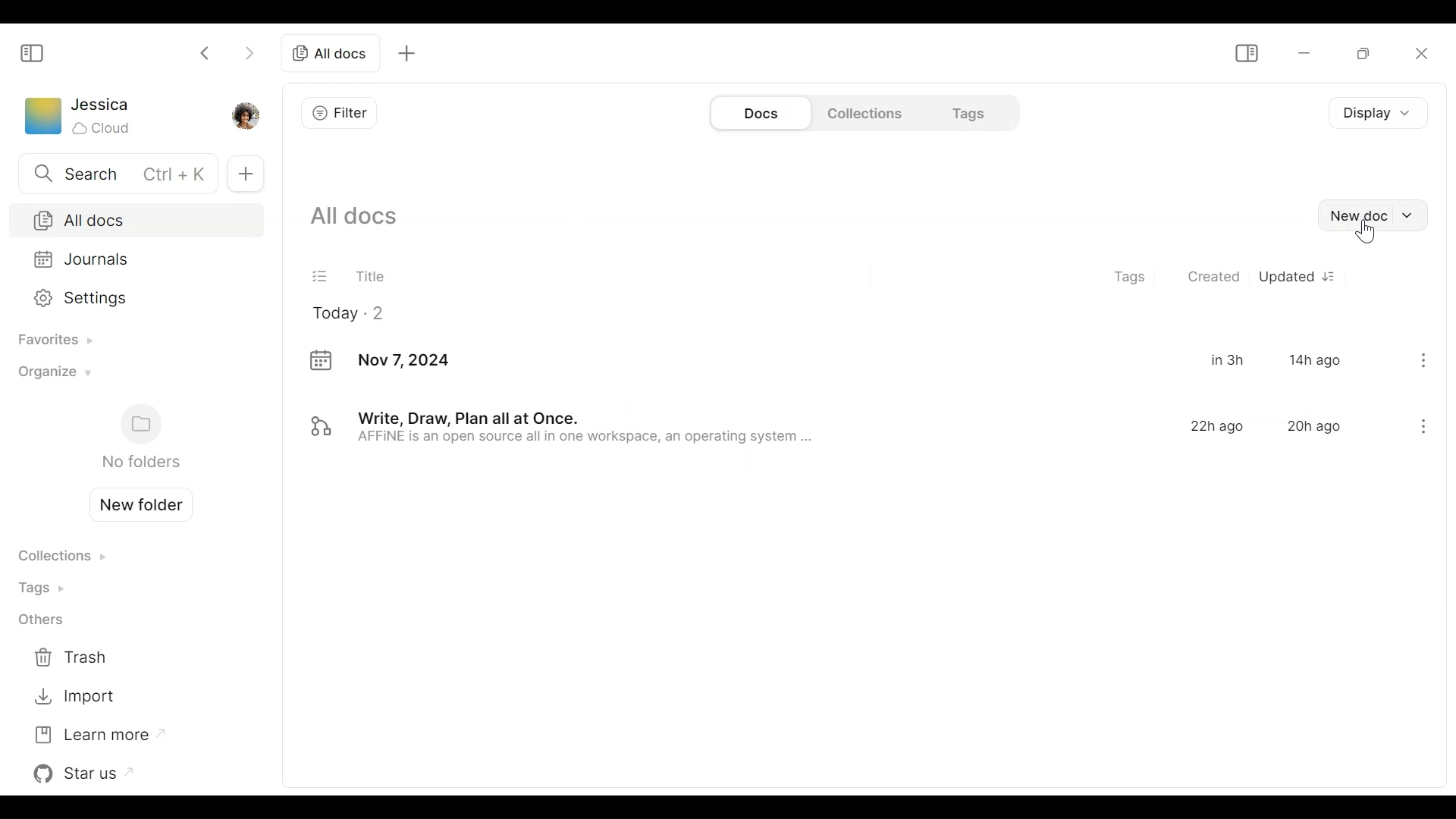 The image size is (1456, 819). I want to click on minimize, so click(1304, 52).